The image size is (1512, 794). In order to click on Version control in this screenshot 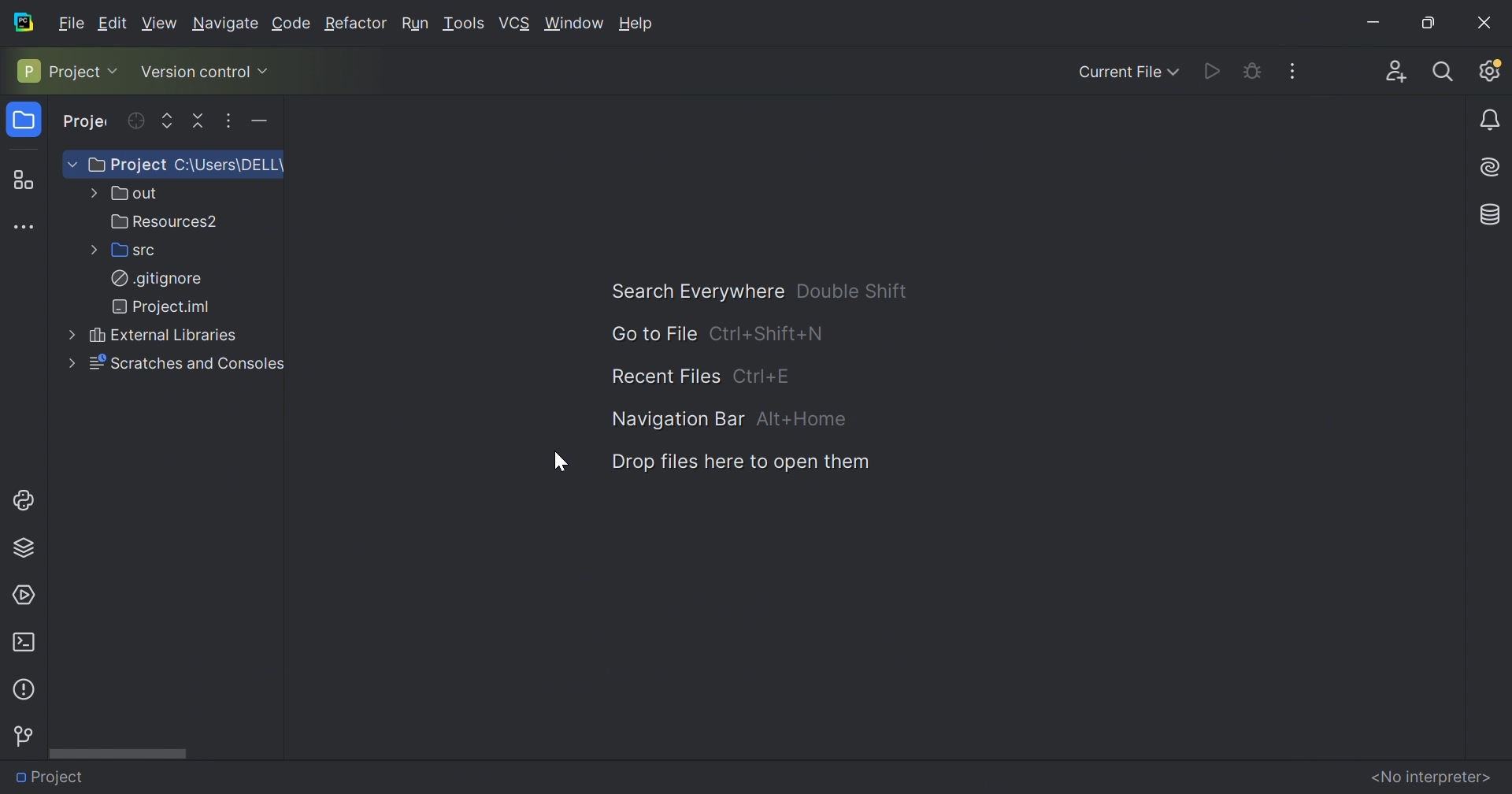, I will do `click(194, 74)`.